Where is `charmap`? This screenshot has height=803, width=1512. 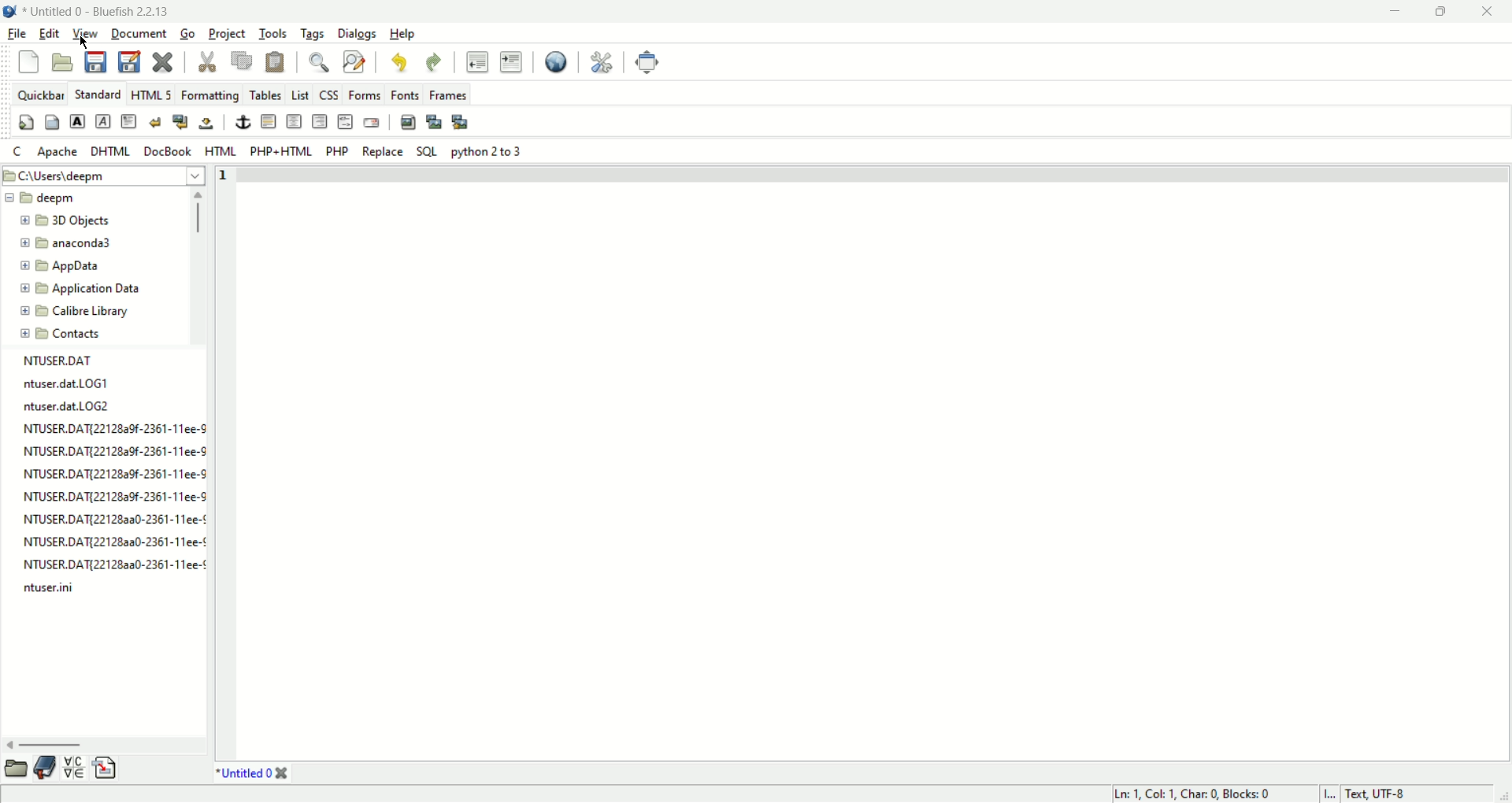 charmap is located at coordinates (72, 768).